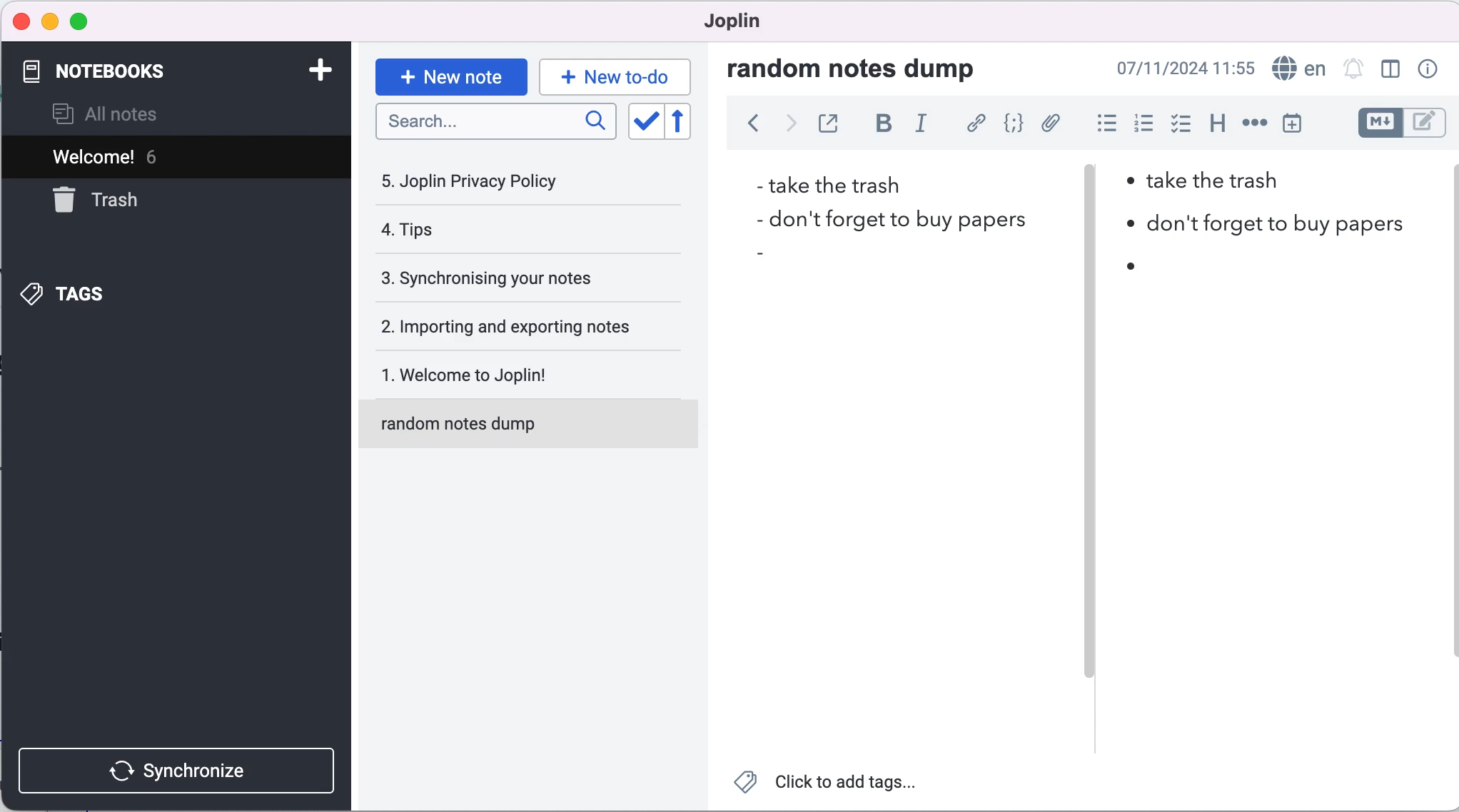 This screenshot has height=812, width=1459. Describe the element at coordinates (180, 767) in the screenshot. I see `synchronize` at that location.